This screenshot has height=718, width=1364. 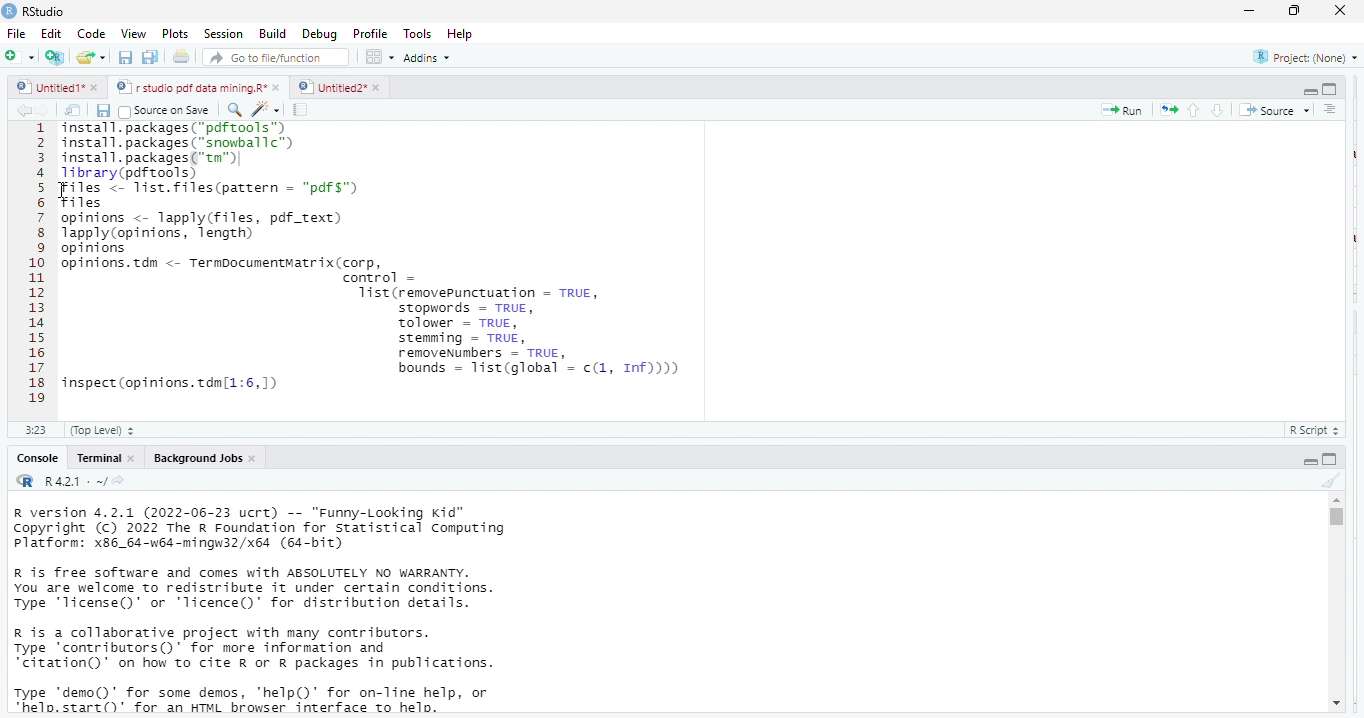 What do you see at coordinates (193, 458) in the screenshot?
I see `background jobs` at bounding box center [193, 458].